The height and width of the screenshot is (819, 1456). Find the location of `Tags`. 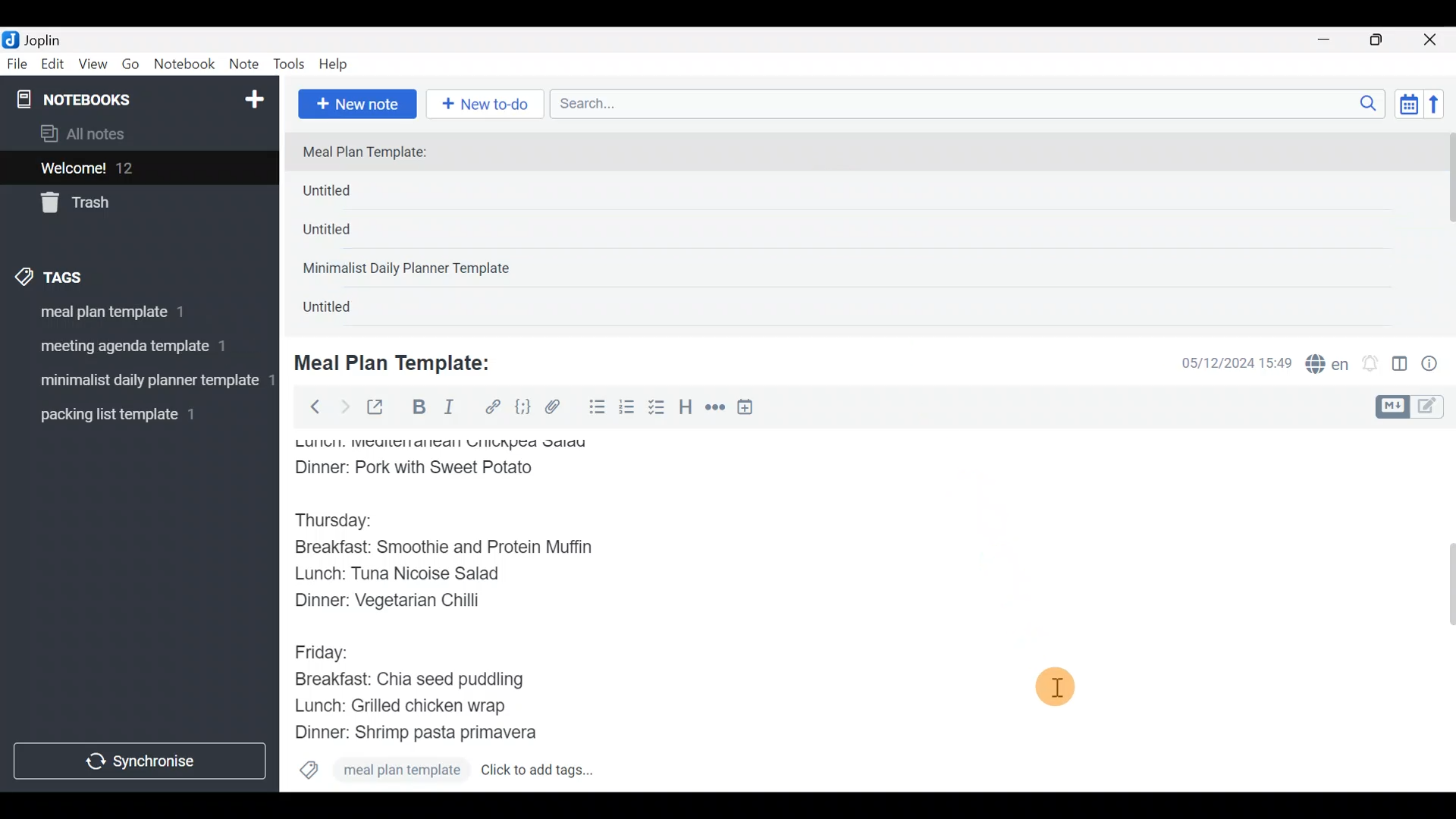

Tags is located at coordinates (85, 275).